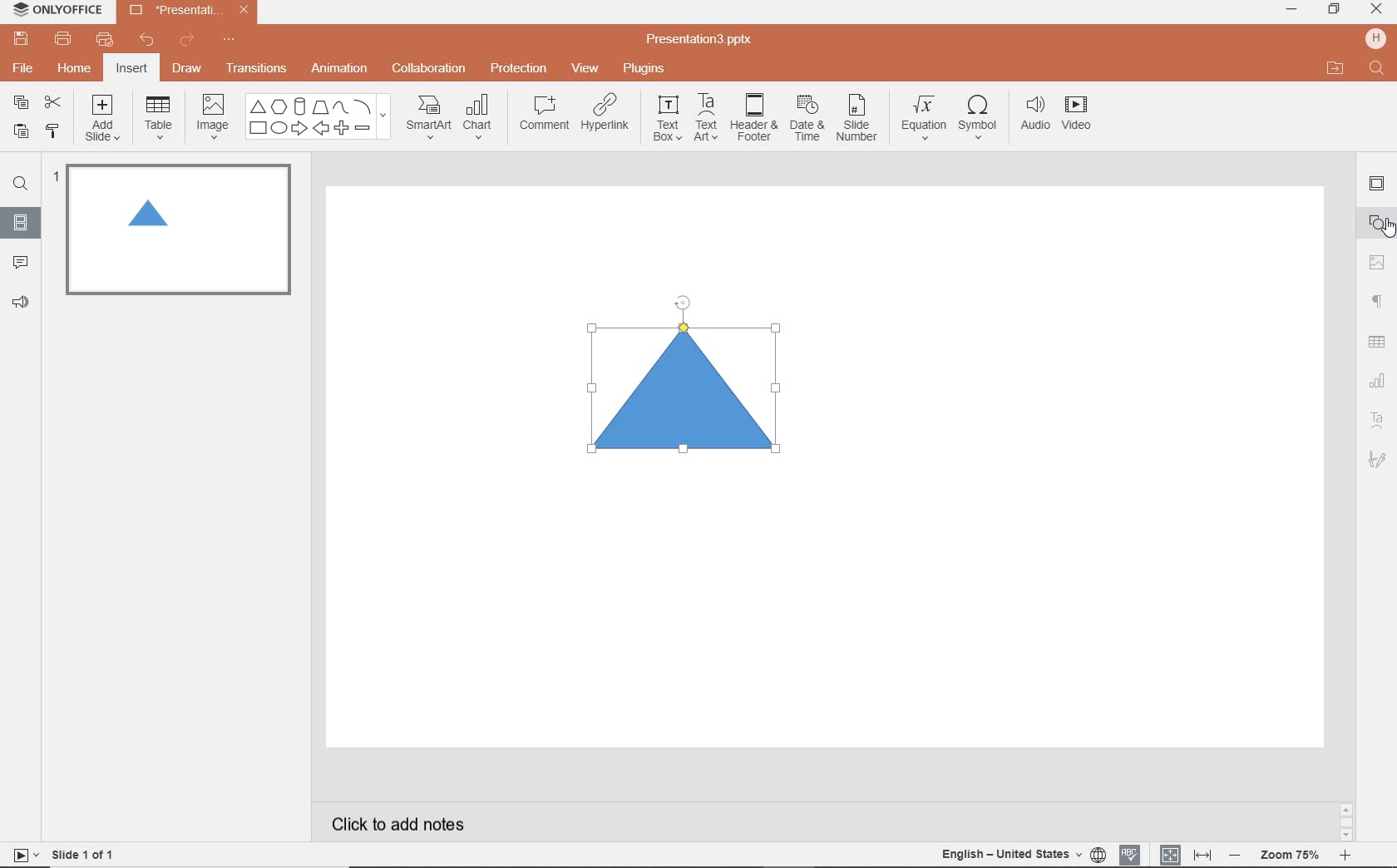 This screenshot has width=1397, height=868. What do you see at coordinates (1346, 825) in the screenshot?
I see `SCROLLBAR` at bounding box center [1346, 825].